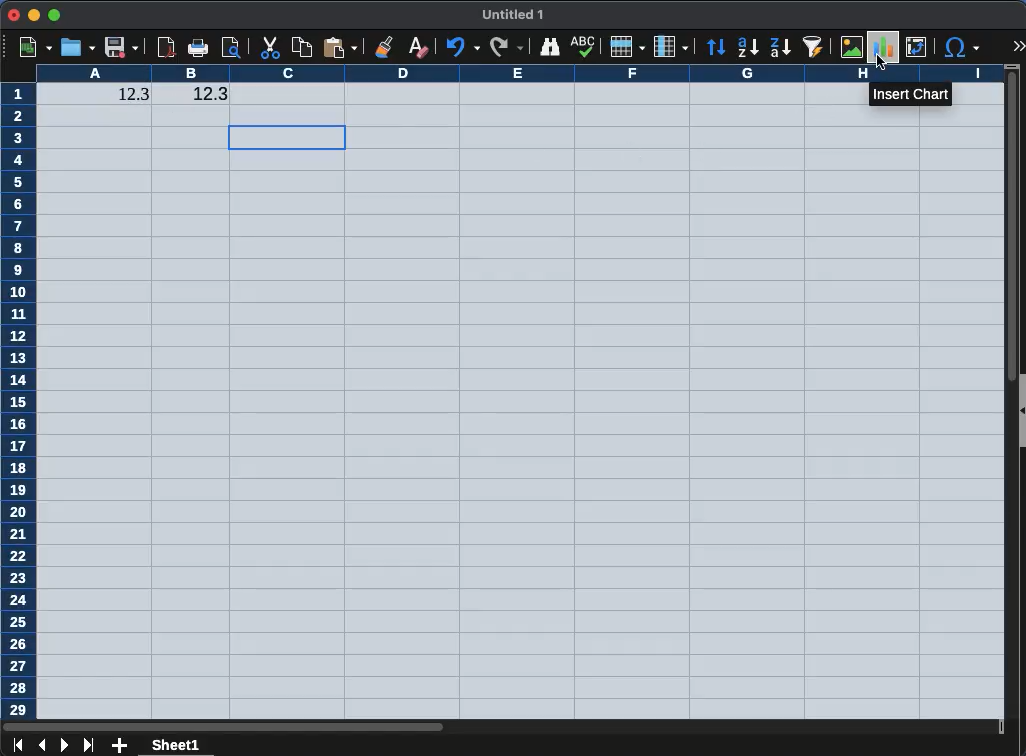 Image resolution: width=1026 pixels, height=756 pixels. I want to click on previous sheet, so click(41, 745).